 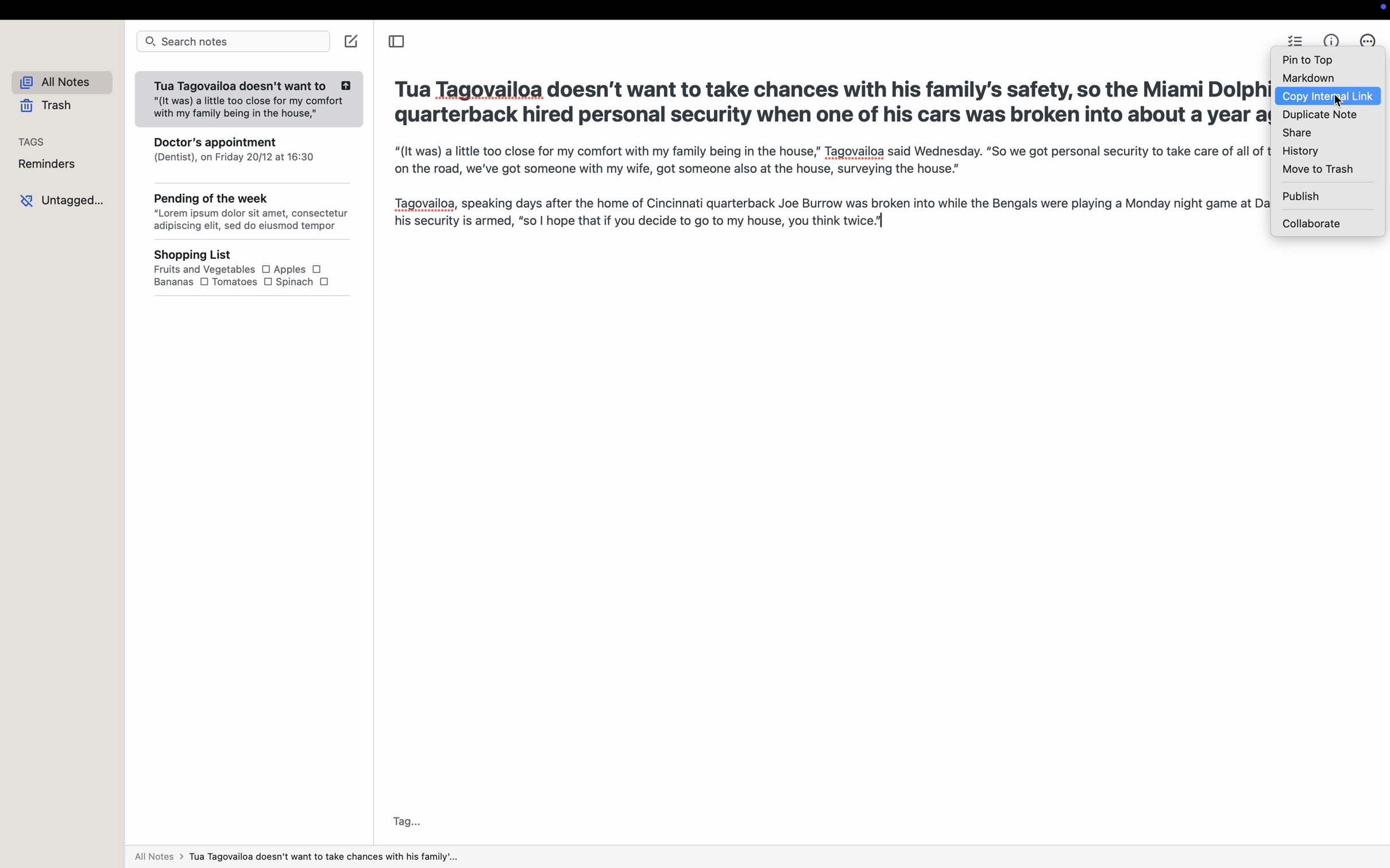 What do you see at coordinates (57, 80) in the screenshot?
I see `all notes` at bounding box center [57, 80].